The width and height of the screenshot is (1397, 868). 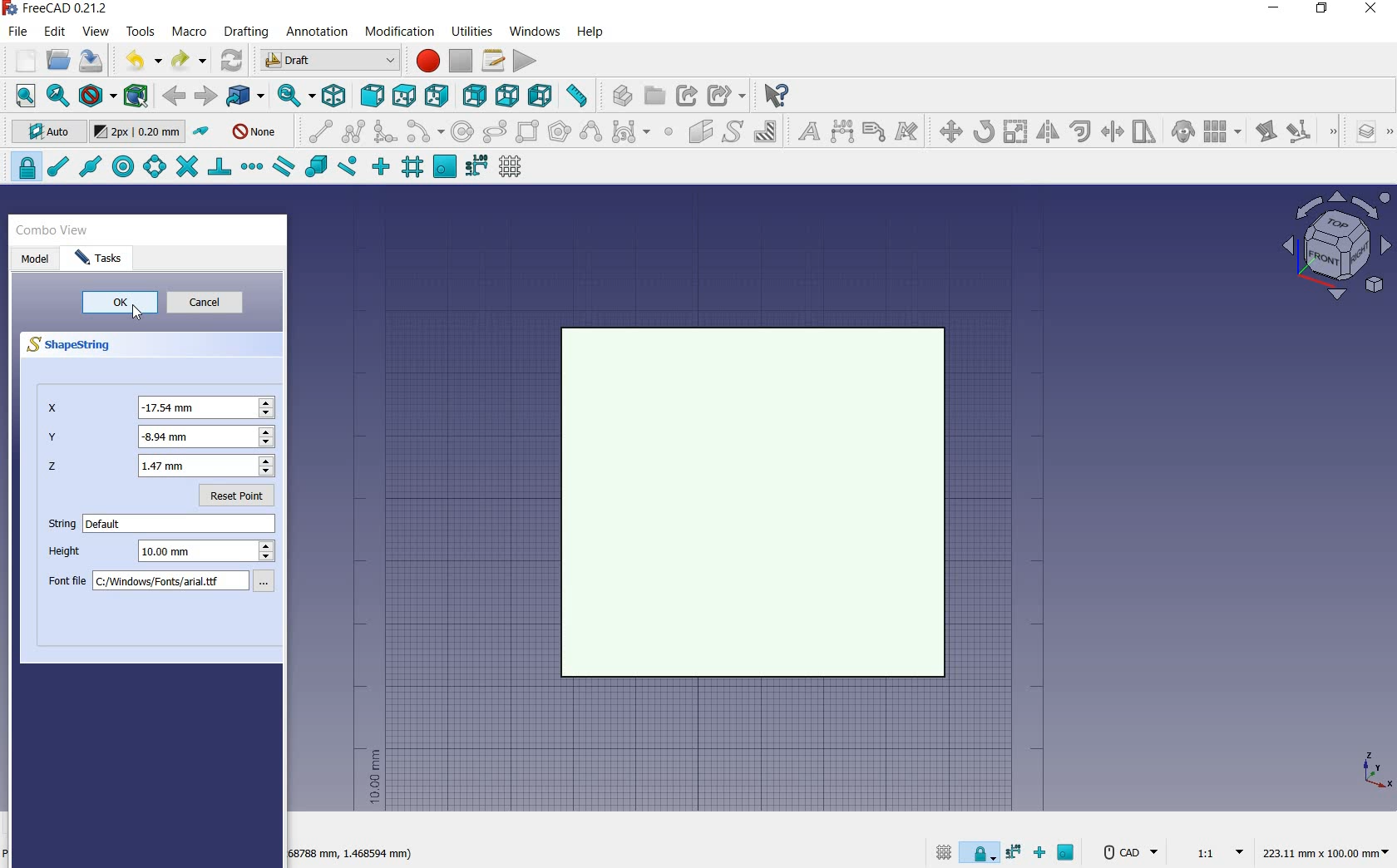 I want to click on macros, so click(x=494, y=61).